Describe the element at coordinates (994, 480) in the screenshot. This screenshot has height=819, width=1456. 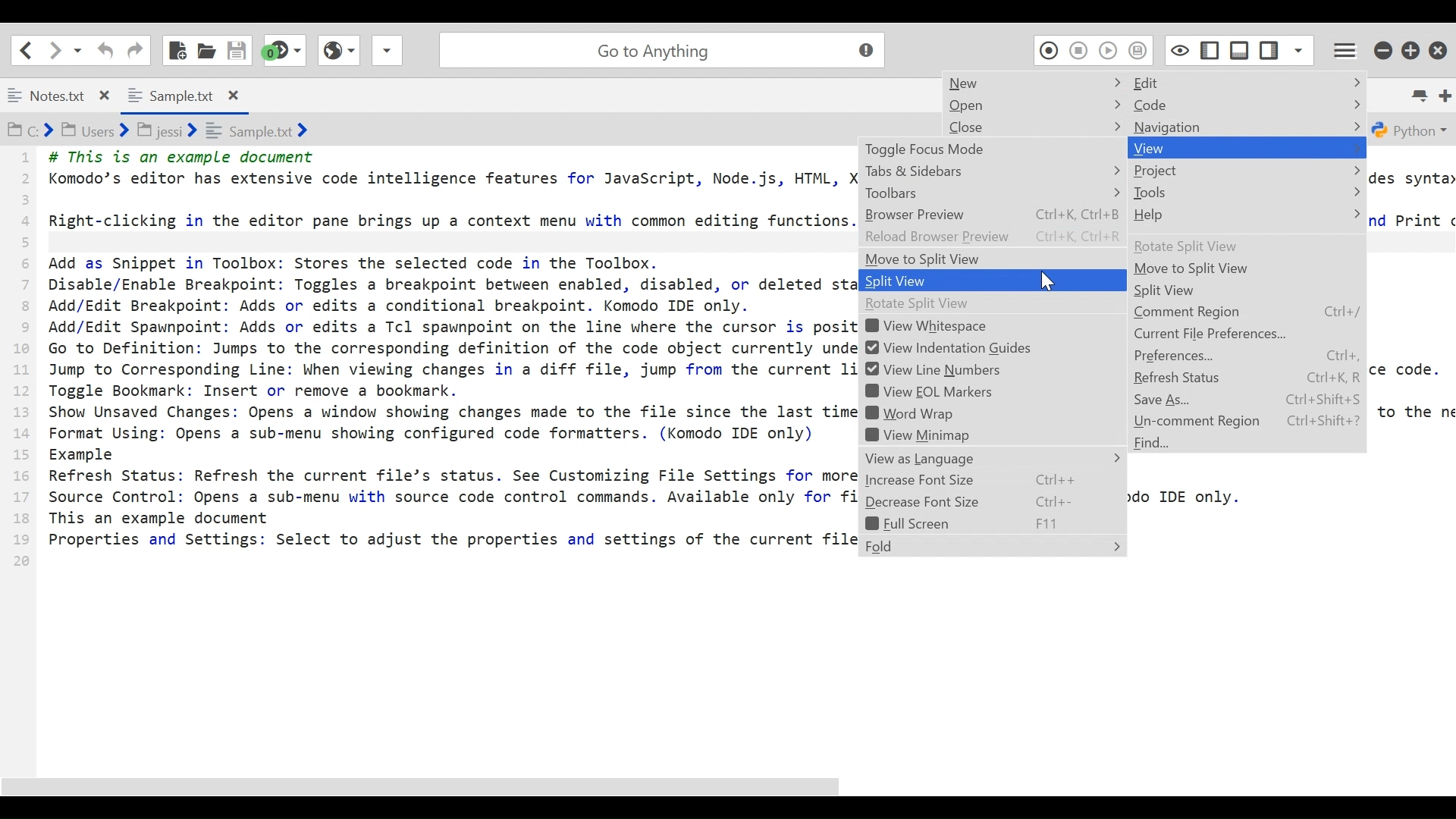
I see `Increase Font Size Ctrl++` at that location.